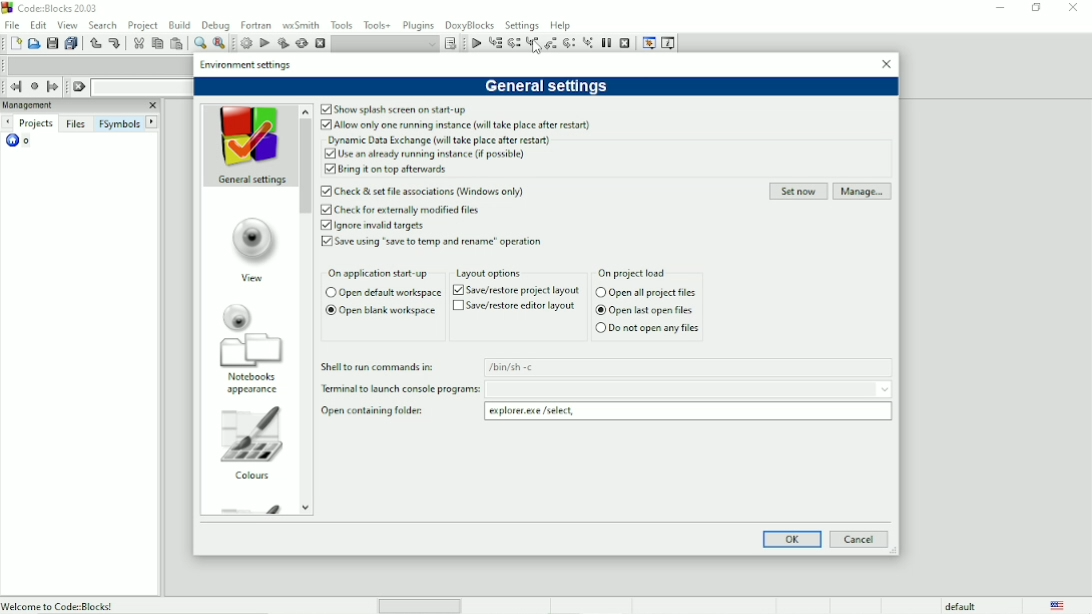 This screenshot has width=1092, height=614. What do you see at coordinates (1058, 605) in the screenshot?
I see `Language` at bounding box center [1058, 605].